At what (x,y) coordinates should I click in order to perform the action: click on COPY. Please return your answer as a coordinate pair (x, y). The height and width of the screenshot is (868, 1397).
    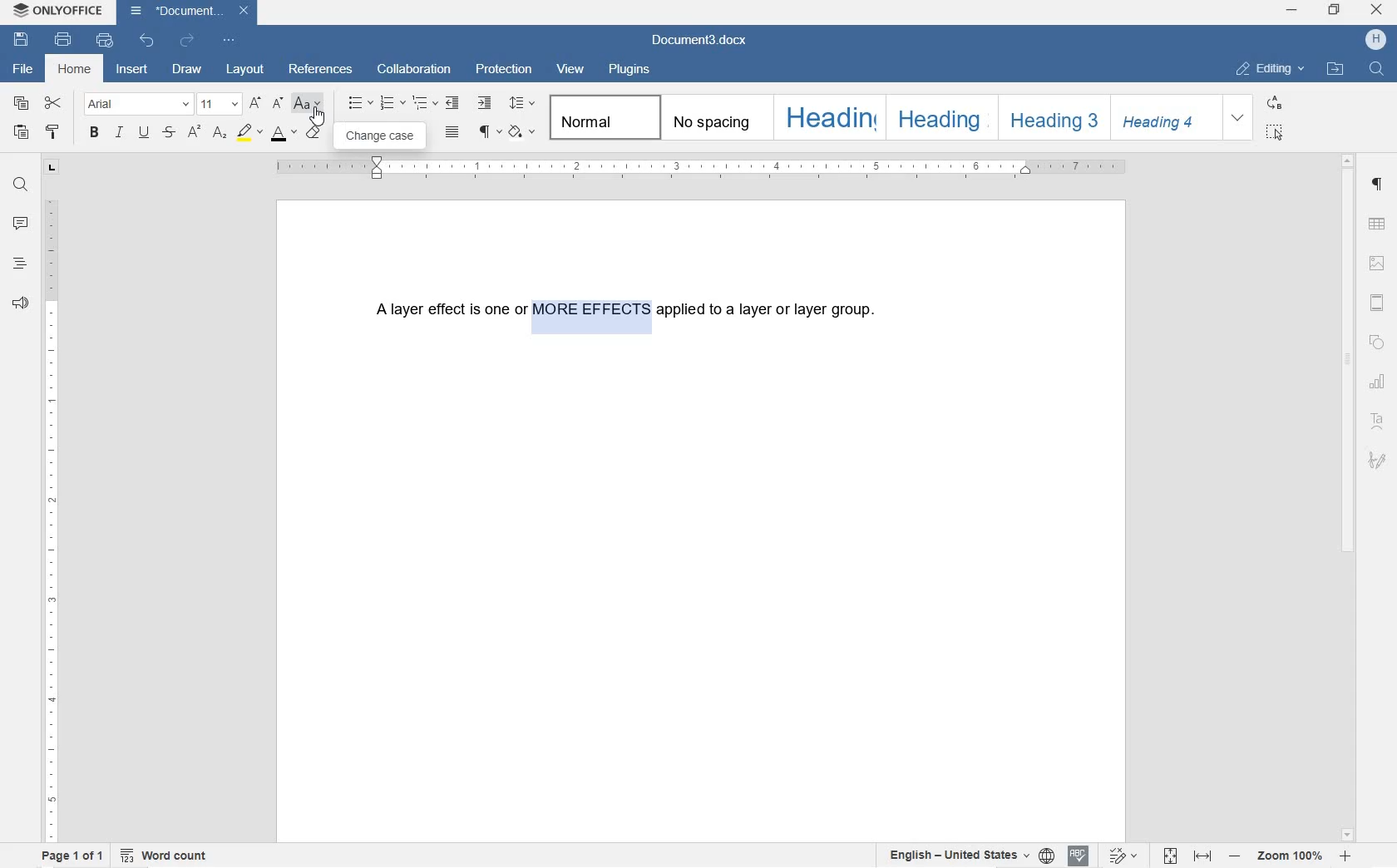
    Looking at the image, I should click on (23, 104).